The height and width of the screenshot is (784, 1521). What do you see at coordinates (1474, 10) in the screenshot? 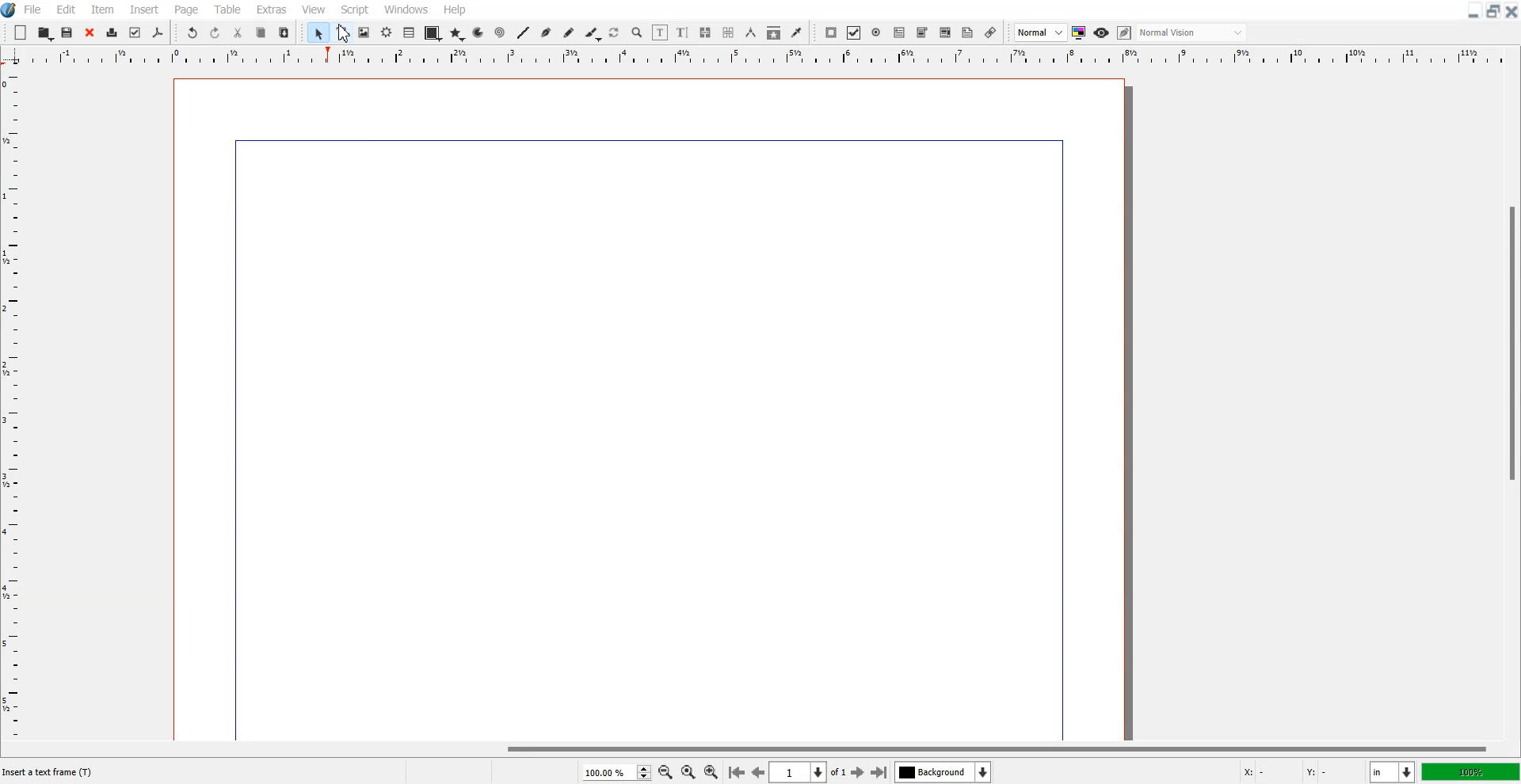
I see `Minimize` at bounding box center [1474, 10].